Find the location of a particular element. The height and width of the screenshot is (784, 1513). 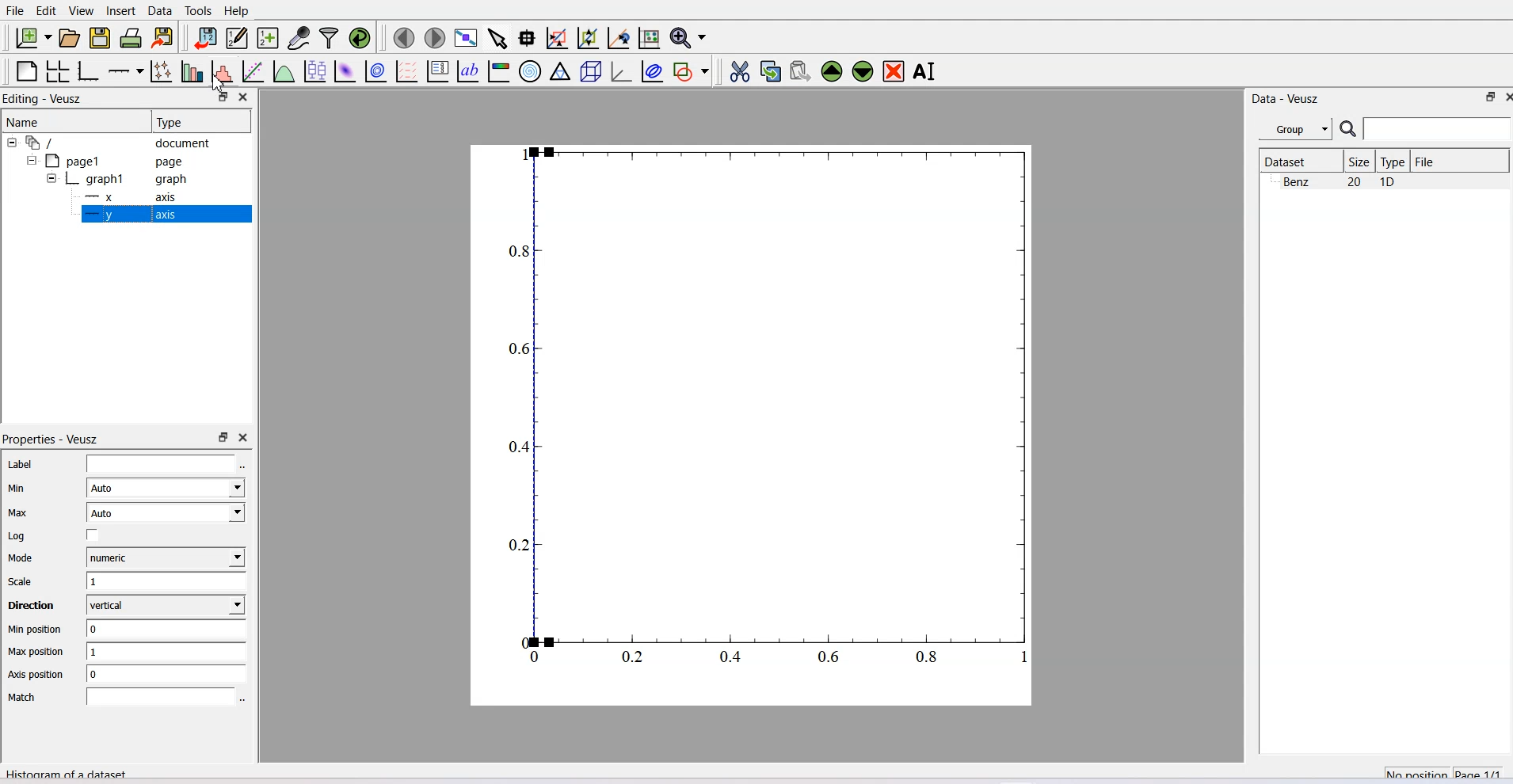

Move the selected widget up is located at coordinates (832, 72).